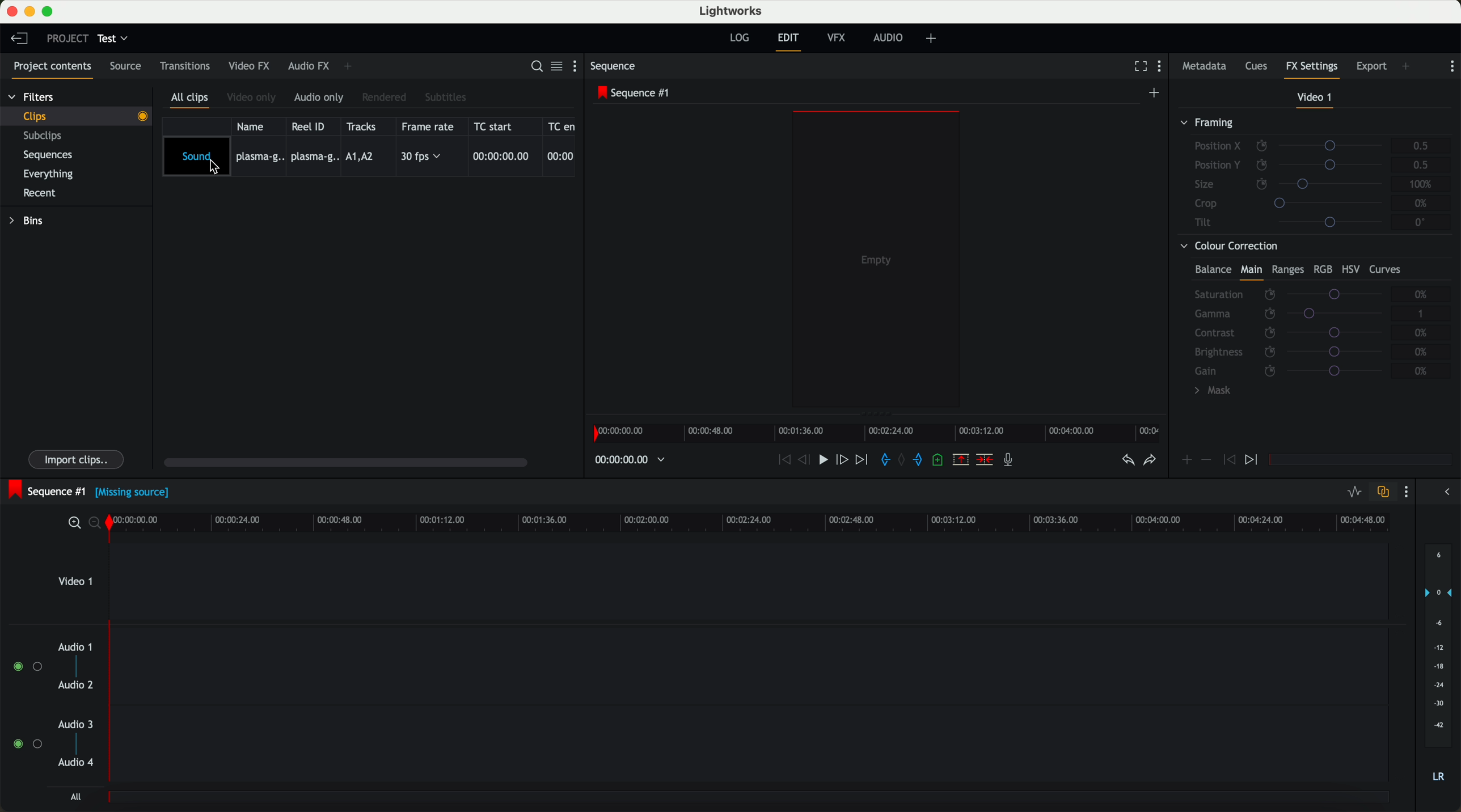  I want to click on maximize, so click(50, 11).